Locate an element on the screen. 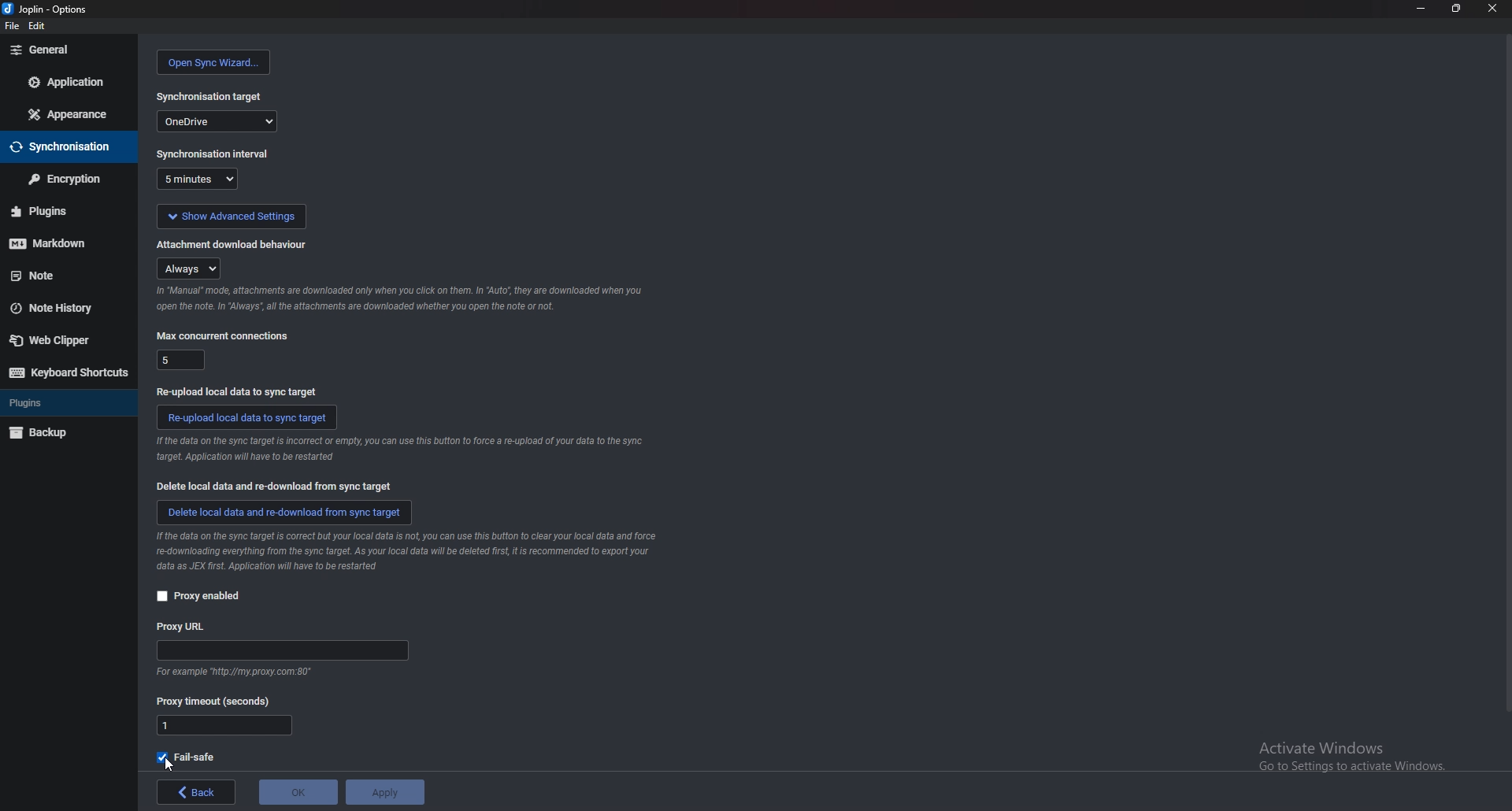  general is located at coordinates (70, 50).